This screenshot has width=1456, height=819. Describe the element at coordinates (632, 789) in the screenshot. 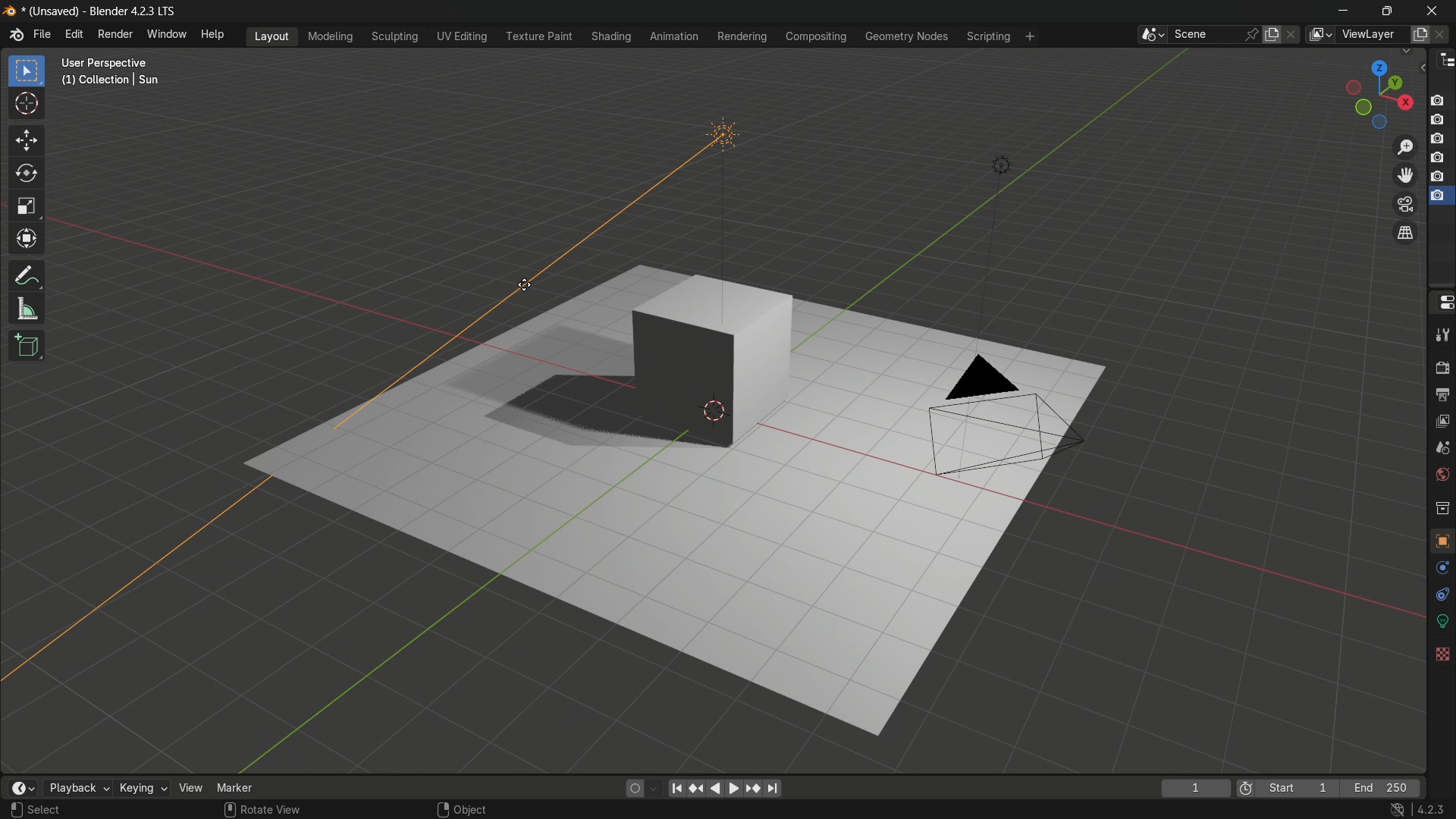

I see `auto keying` at that location.